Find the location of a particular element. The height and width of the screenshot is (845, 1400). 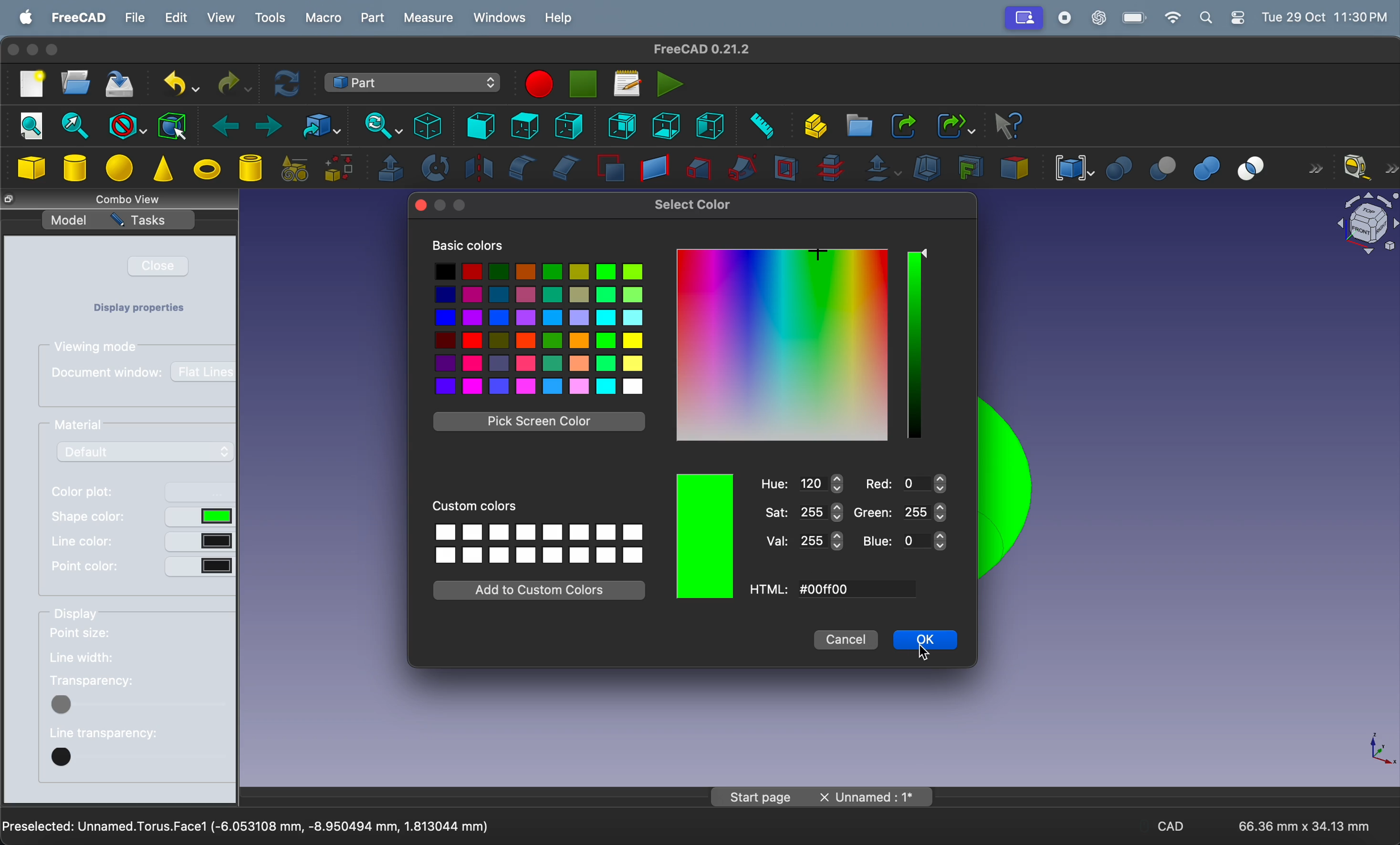

color per face is located at coordinates (1014, 167).